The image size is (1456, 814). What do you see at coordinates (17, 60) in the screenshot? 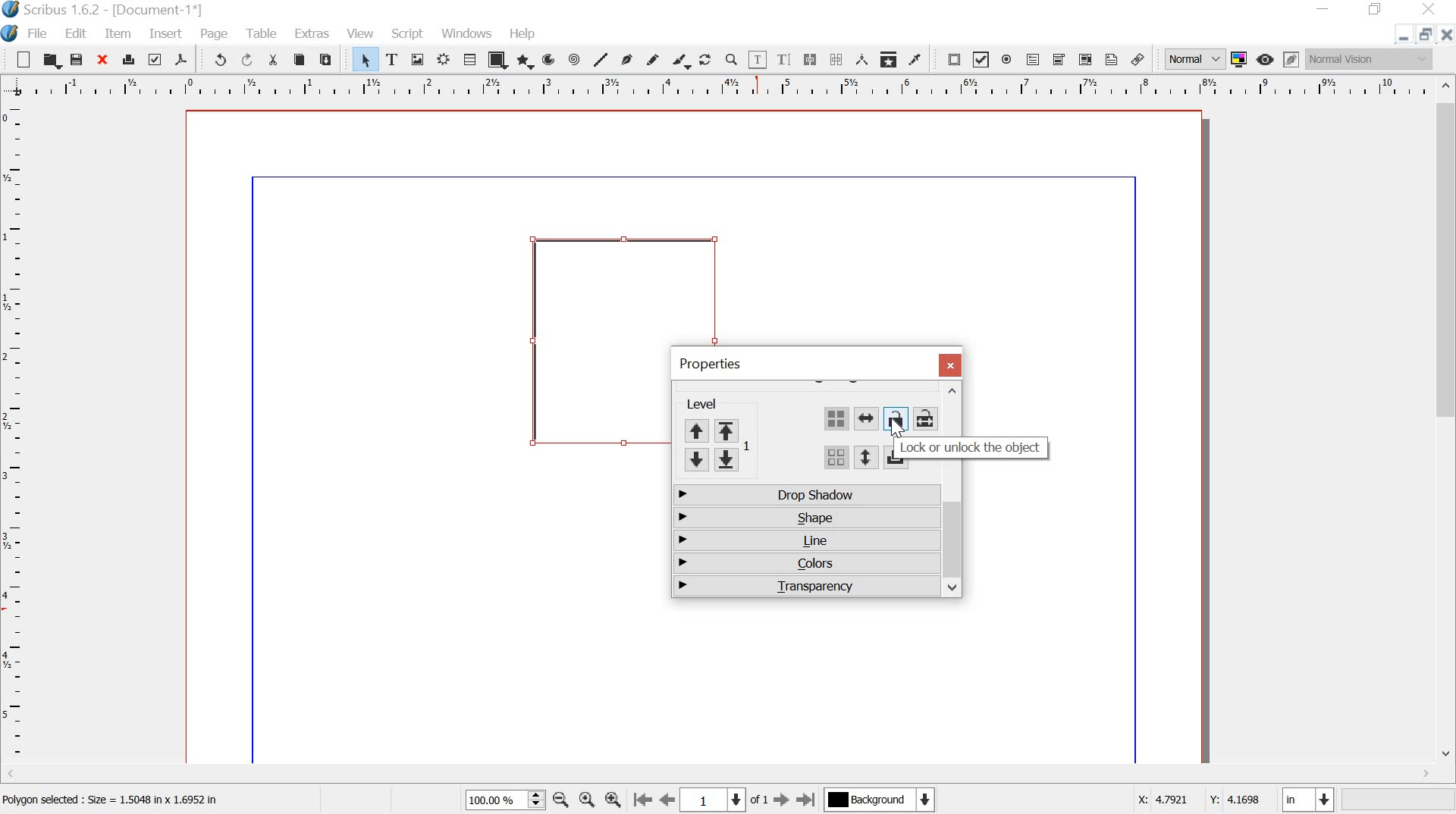
I see `new` at bounding box center [17, 60].